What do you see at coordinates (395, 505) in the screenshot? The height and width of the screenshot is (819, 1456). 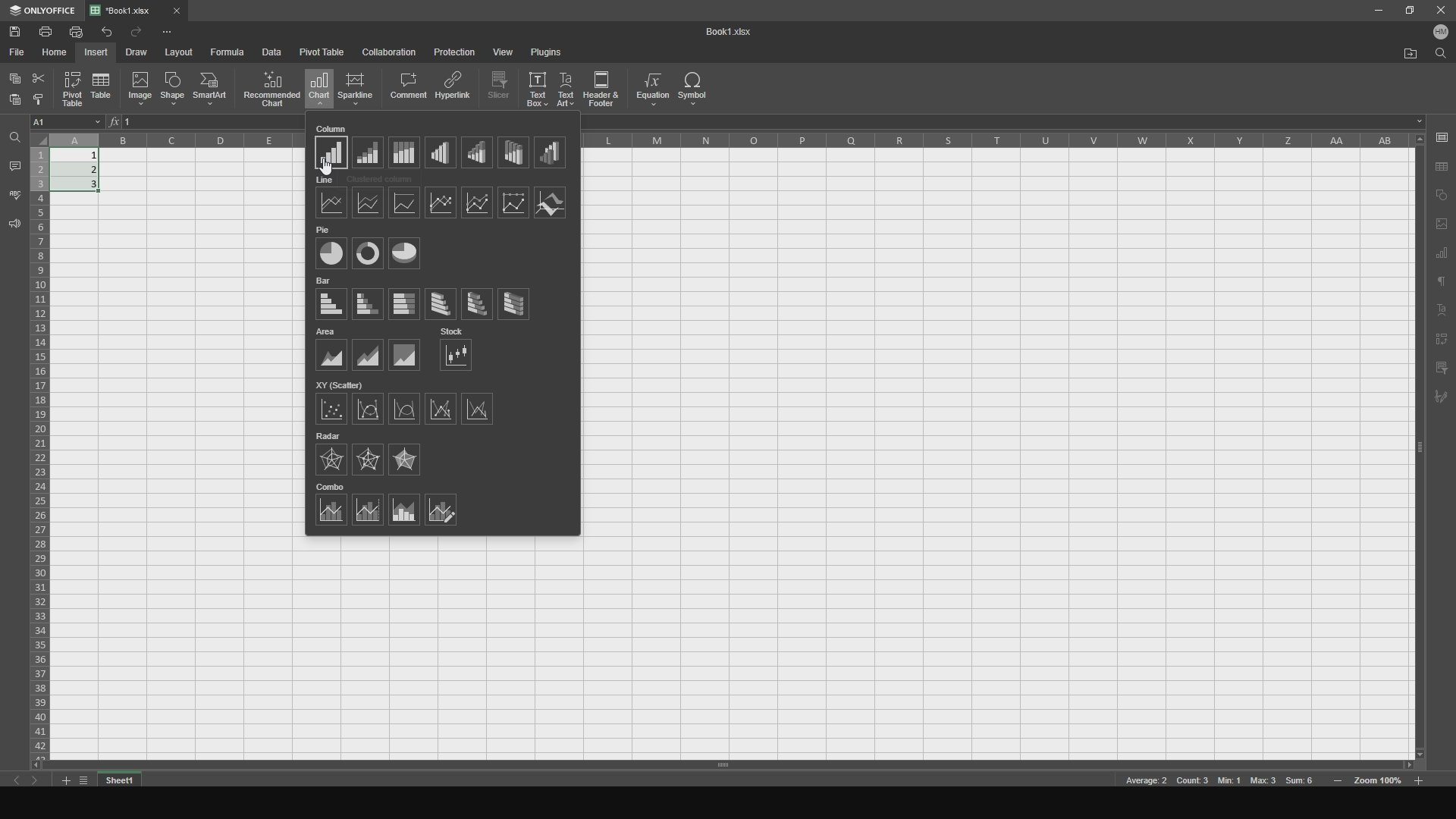 I see `combos` at bounding box center [395, 505].